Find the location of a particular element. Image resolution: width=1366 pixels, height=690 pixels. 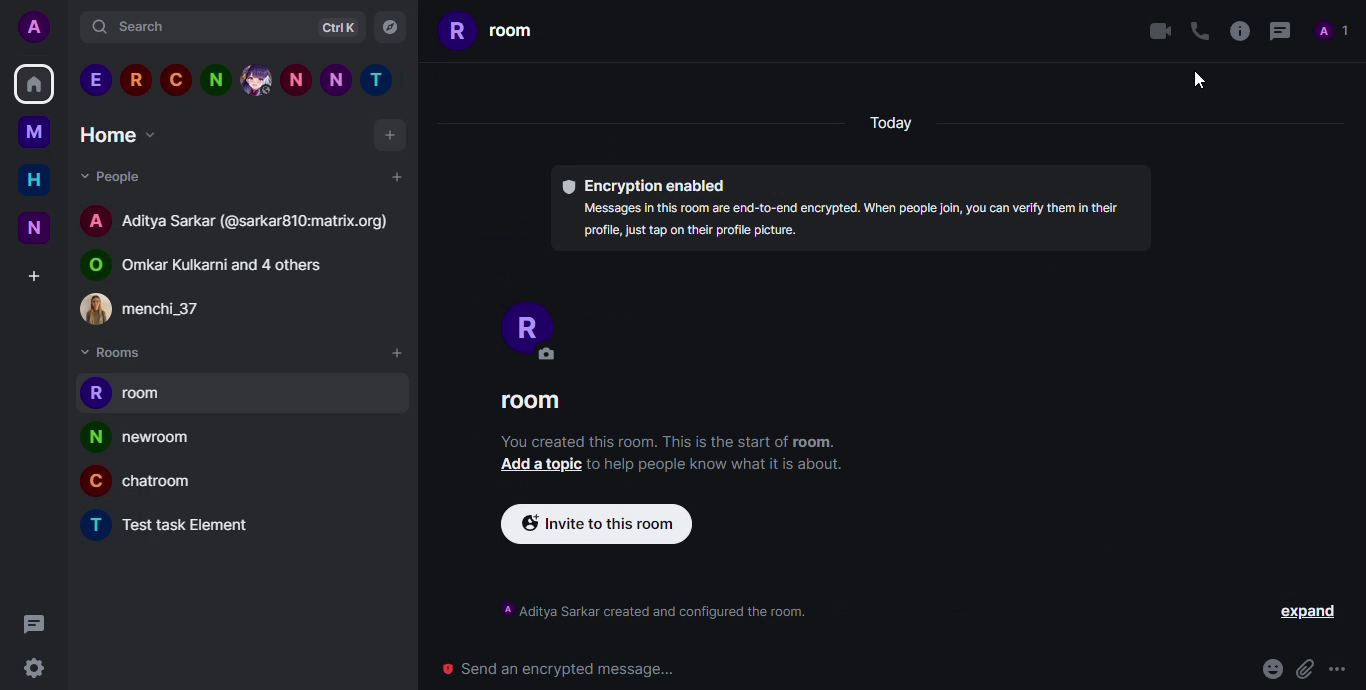

profile is located at coordinates (96, 219).